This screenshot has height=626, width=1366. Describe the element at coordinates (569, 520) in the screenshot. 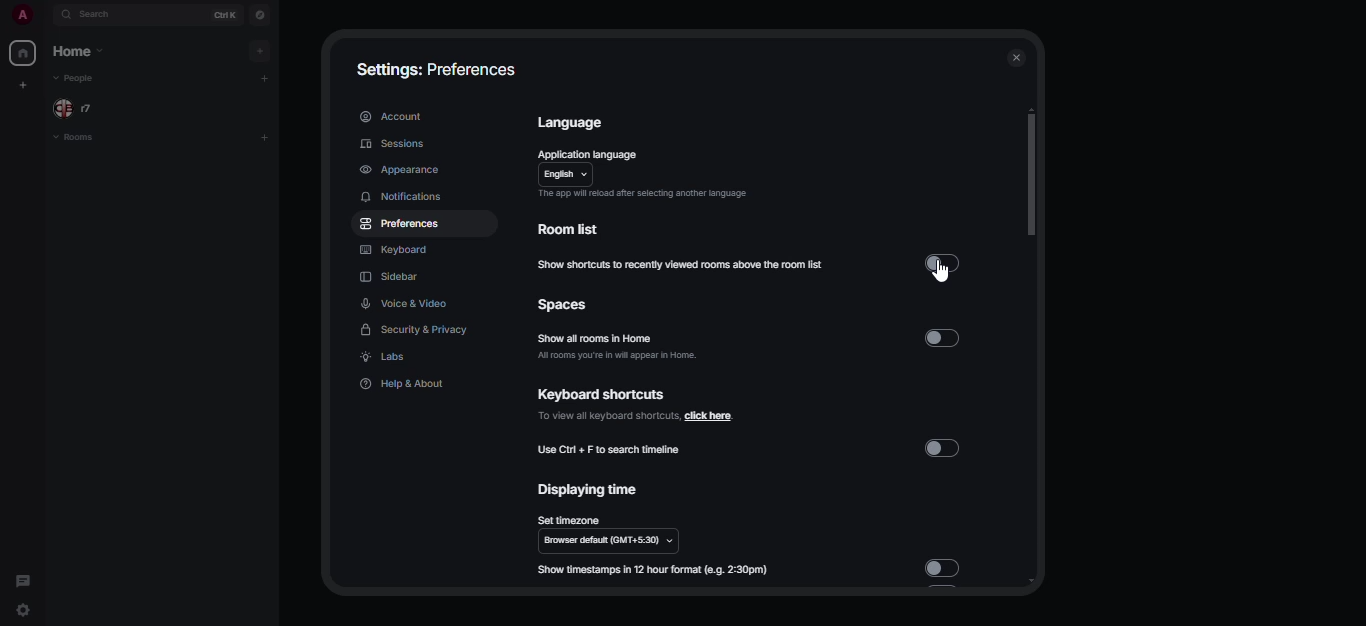

I see `set timezone` at that location.